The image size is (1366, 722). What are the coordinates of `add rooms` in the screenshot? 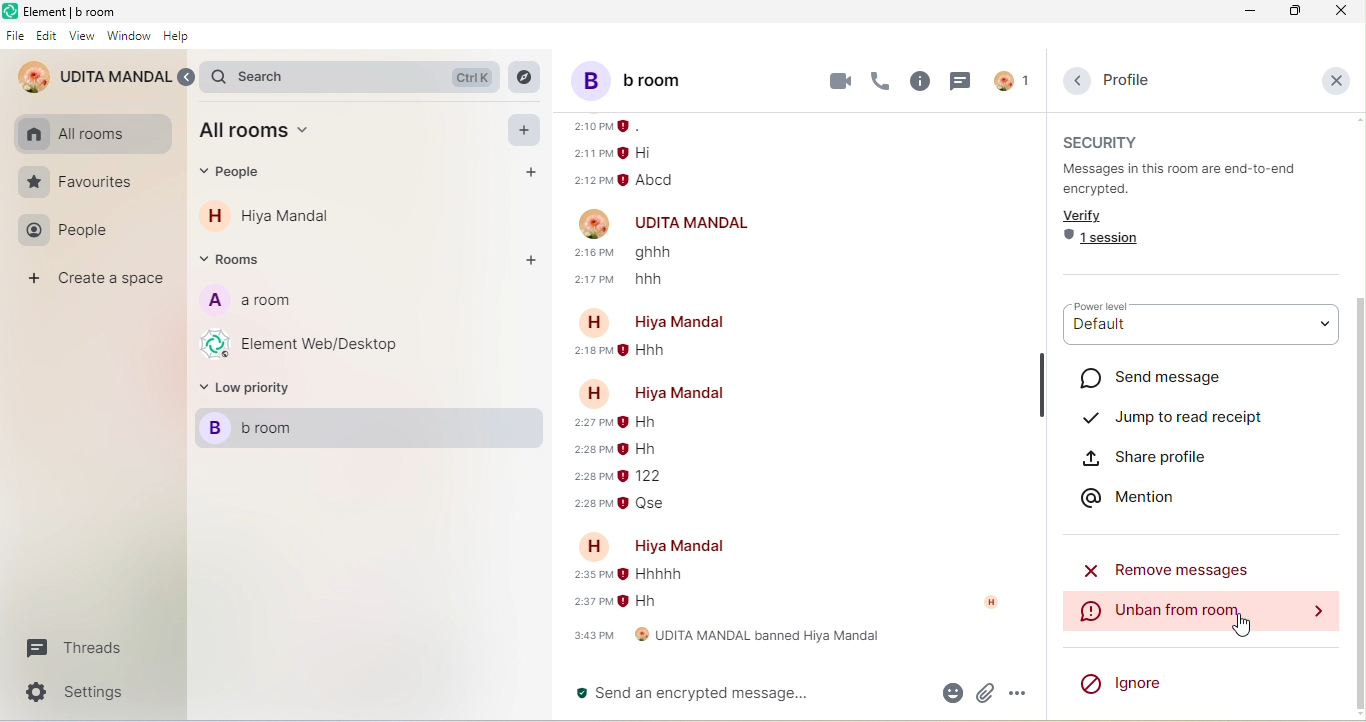 It's located at (529, 260).